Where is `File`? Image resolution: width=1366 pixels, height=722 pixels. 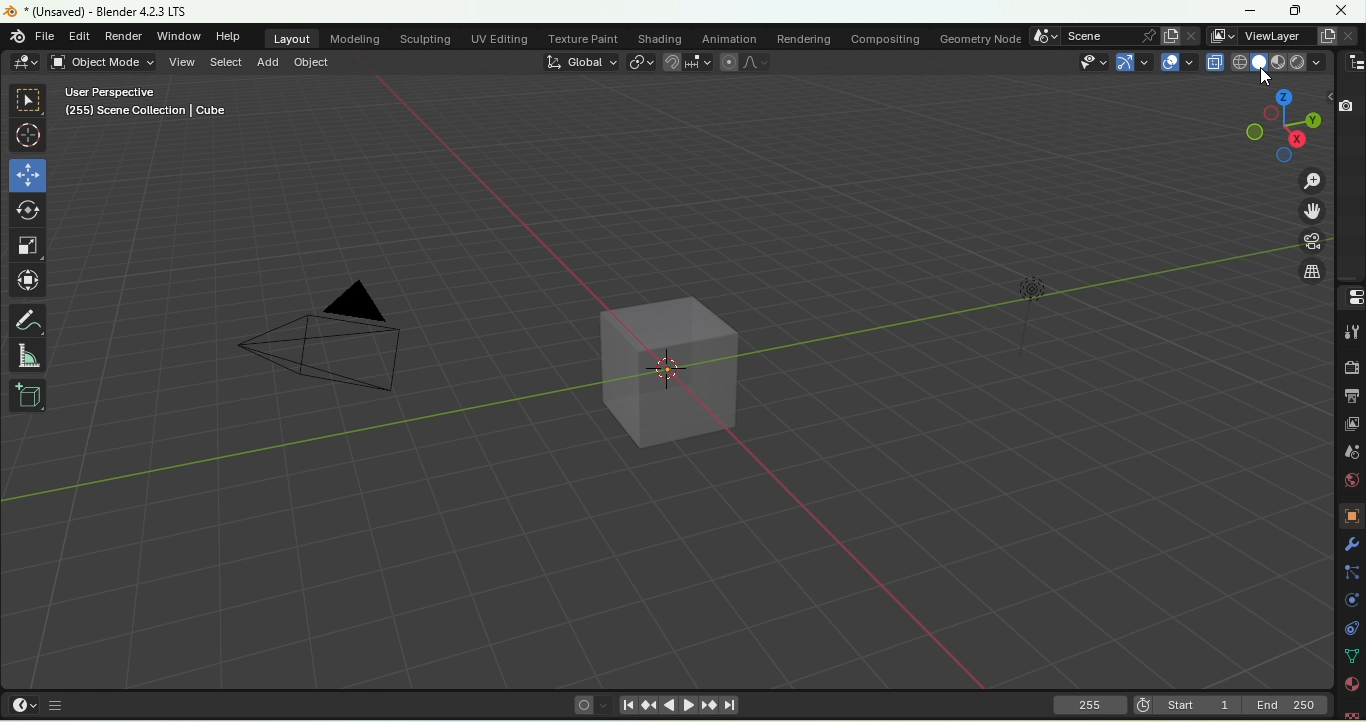
File is located at coordinates (44, 38).